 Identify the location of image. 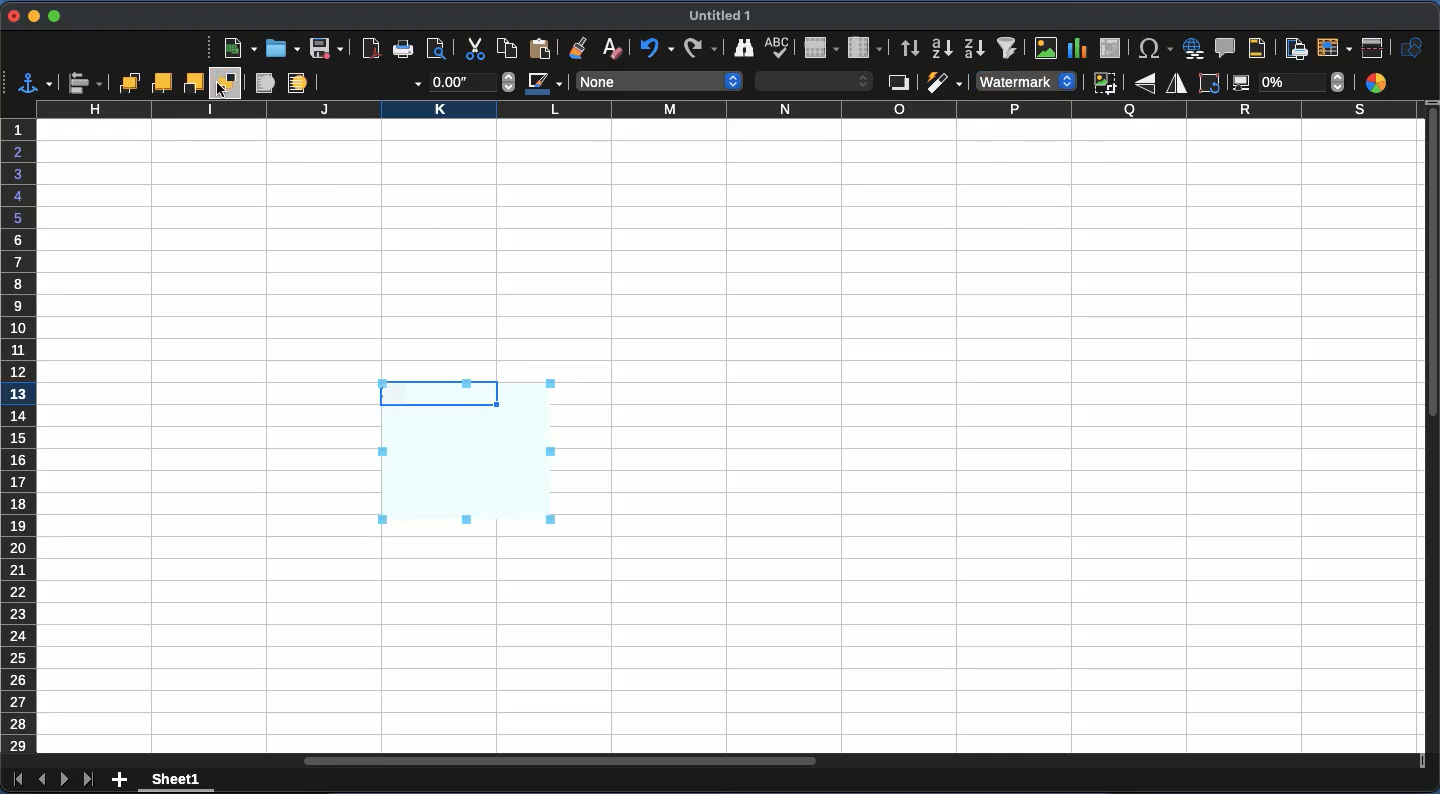
(1048, 48).